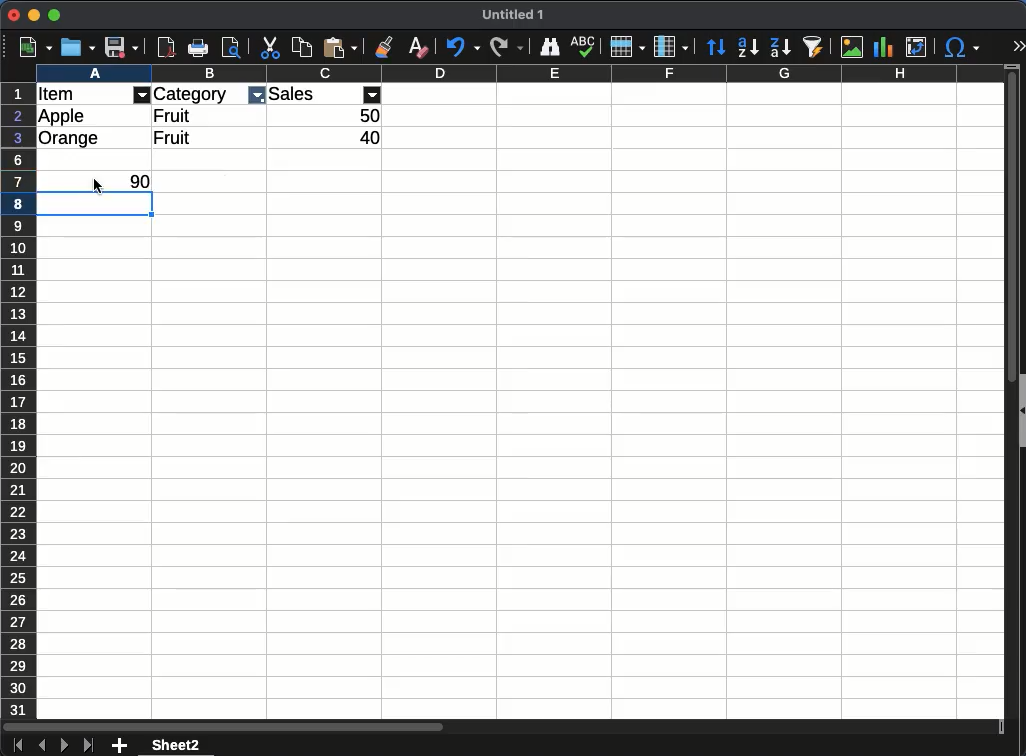 This screenshot has width=1026, height=756. Describe the element at coordinates (853, 46) in the screenshot. I see `image` at that location.